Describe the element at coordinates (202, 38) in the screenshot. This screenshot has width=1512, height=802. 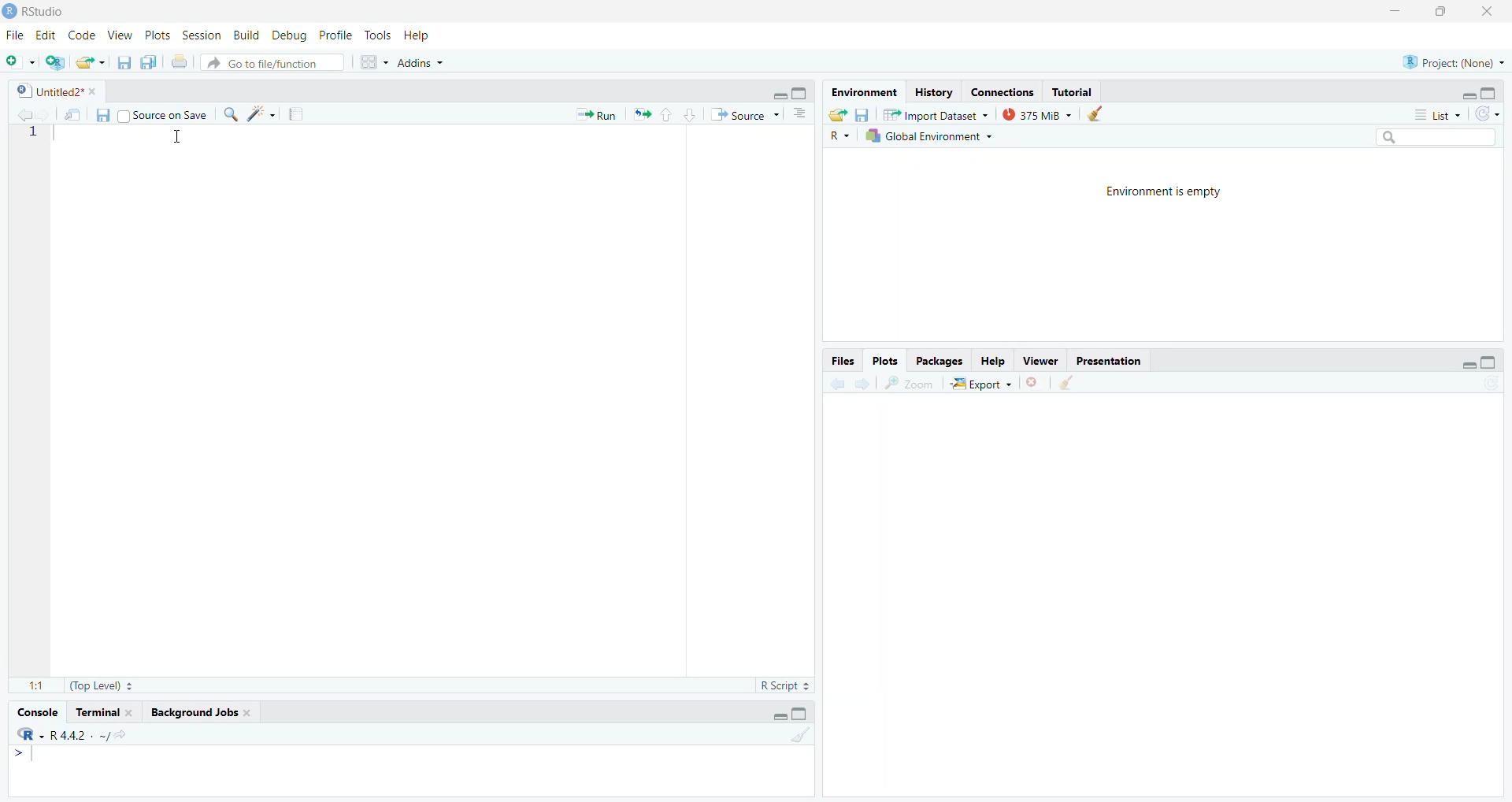
I see `Session` at that location.